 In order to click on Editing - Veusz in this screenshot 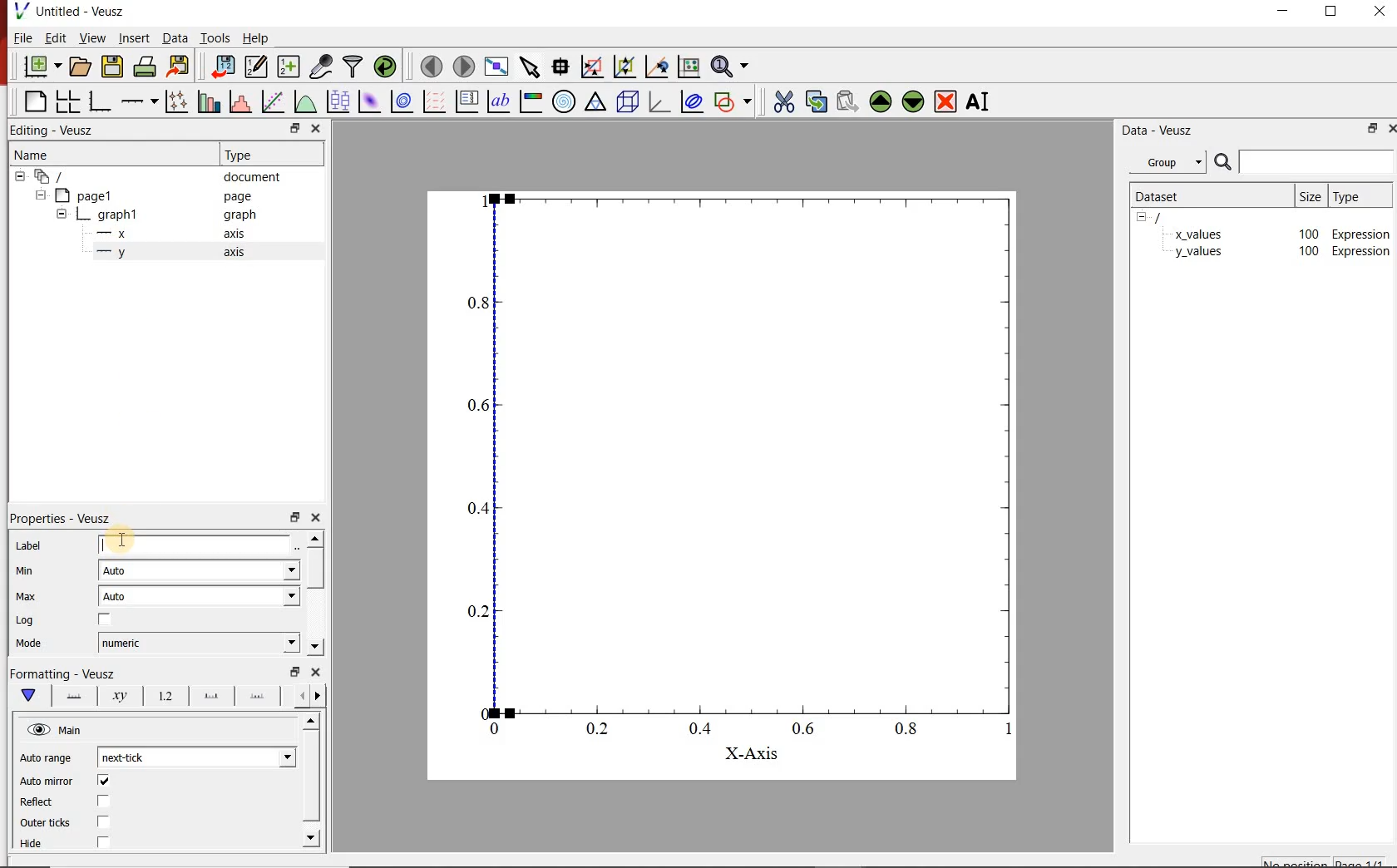, I will do `click(53, 131)`.